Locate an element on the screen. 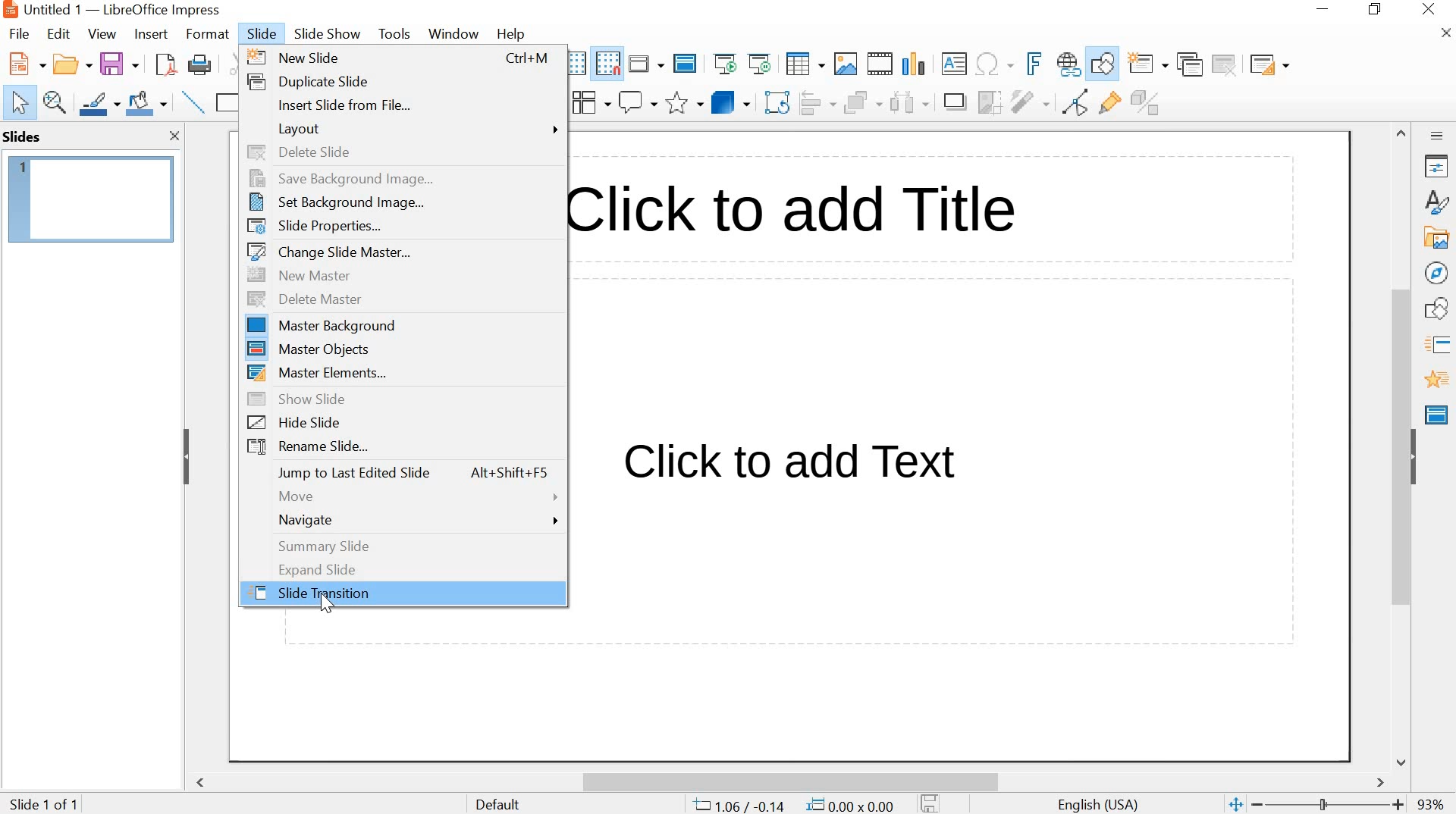  Table is located at coordinates (805, 64).